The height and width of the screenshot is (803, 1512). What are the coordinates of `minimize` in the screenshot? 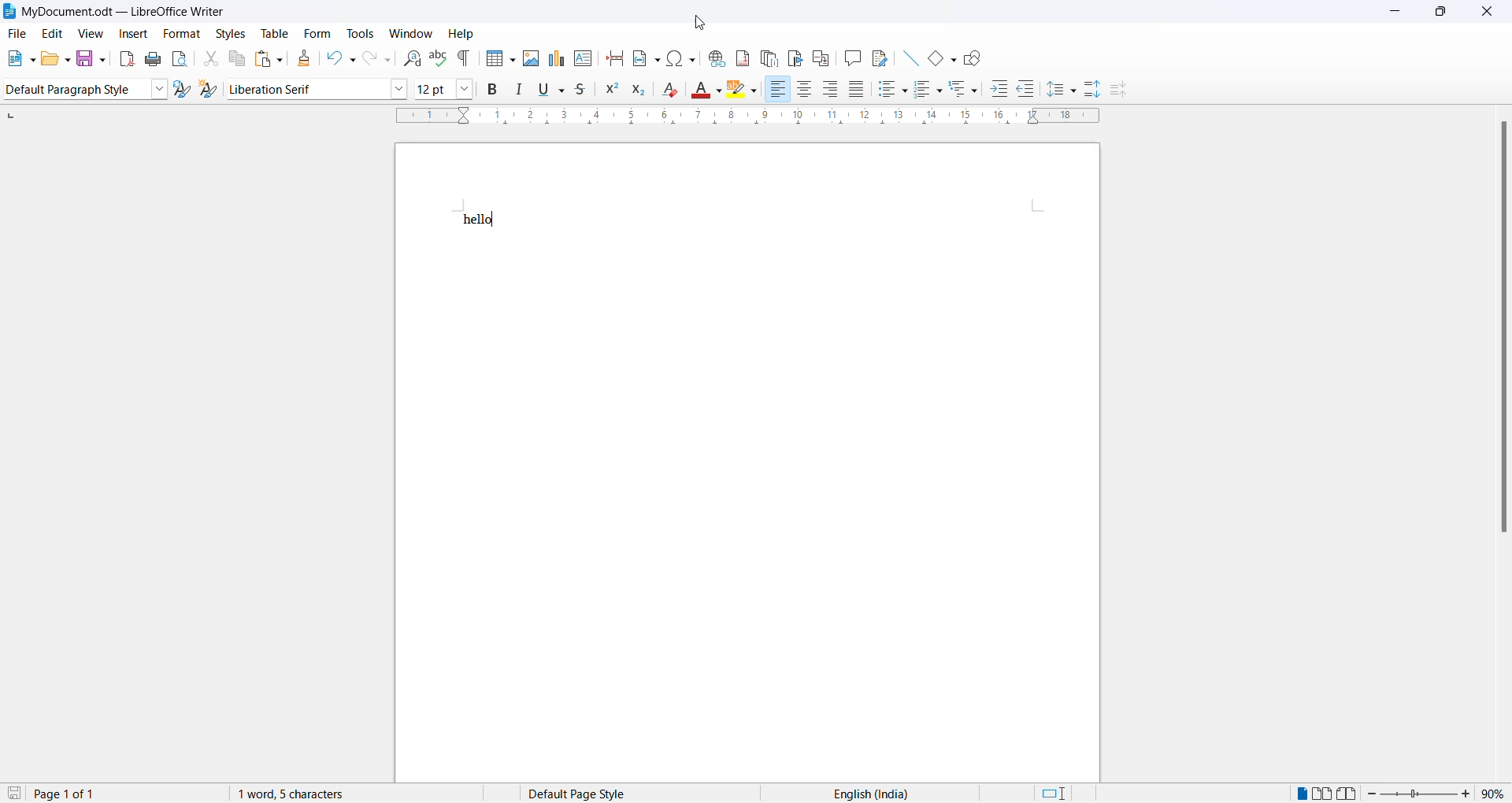 It's located at (1398, 13).